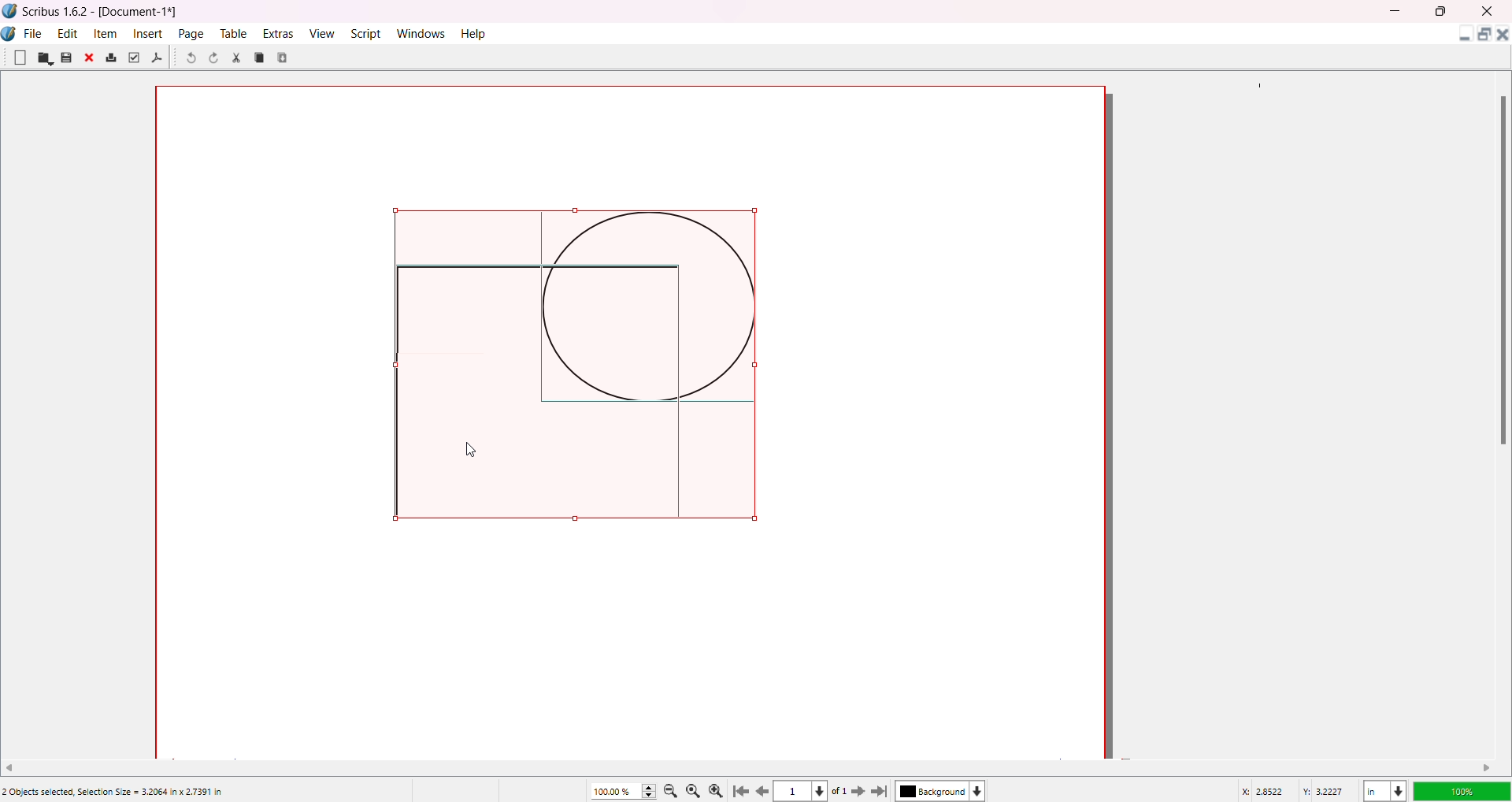 Image resolution: width=1512 pixels, height=802 pixels. I want to click on Next, so click(854, 790).